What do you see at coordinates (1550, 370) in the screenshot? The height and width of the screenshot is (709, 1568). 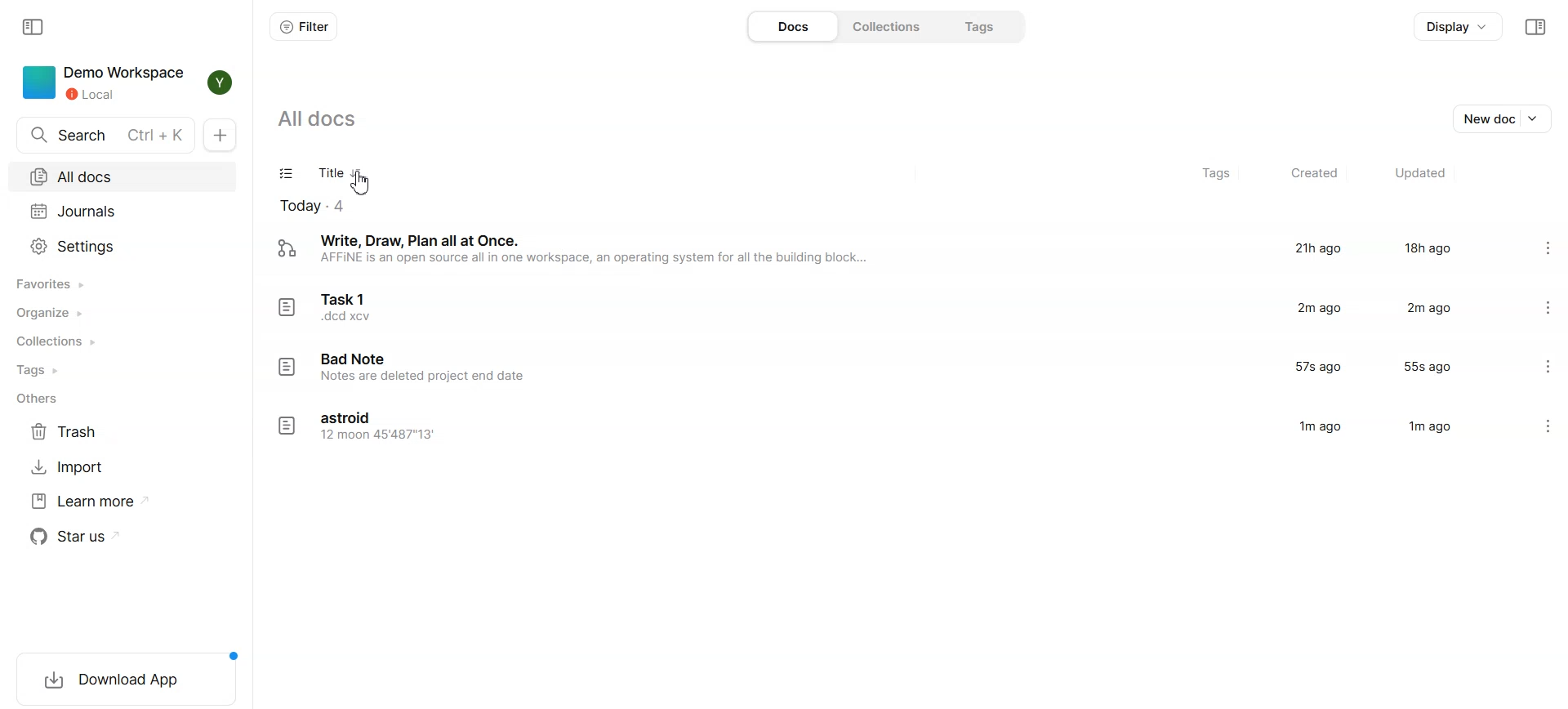 I see `Settings` at bounding box center [1550, 370].